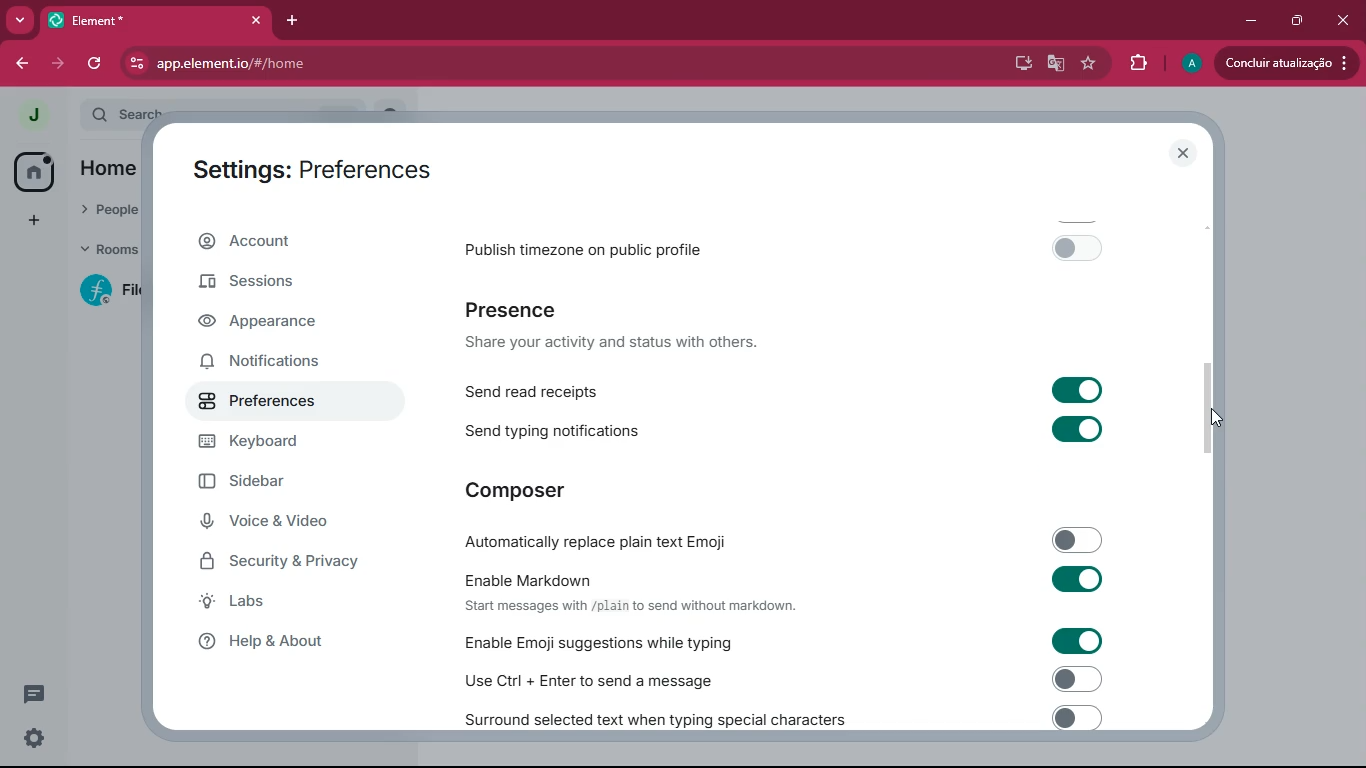 Image resolution: width=1366 pixels, height=768 pixels. I want to click on enable emoji, so click(776, 641).